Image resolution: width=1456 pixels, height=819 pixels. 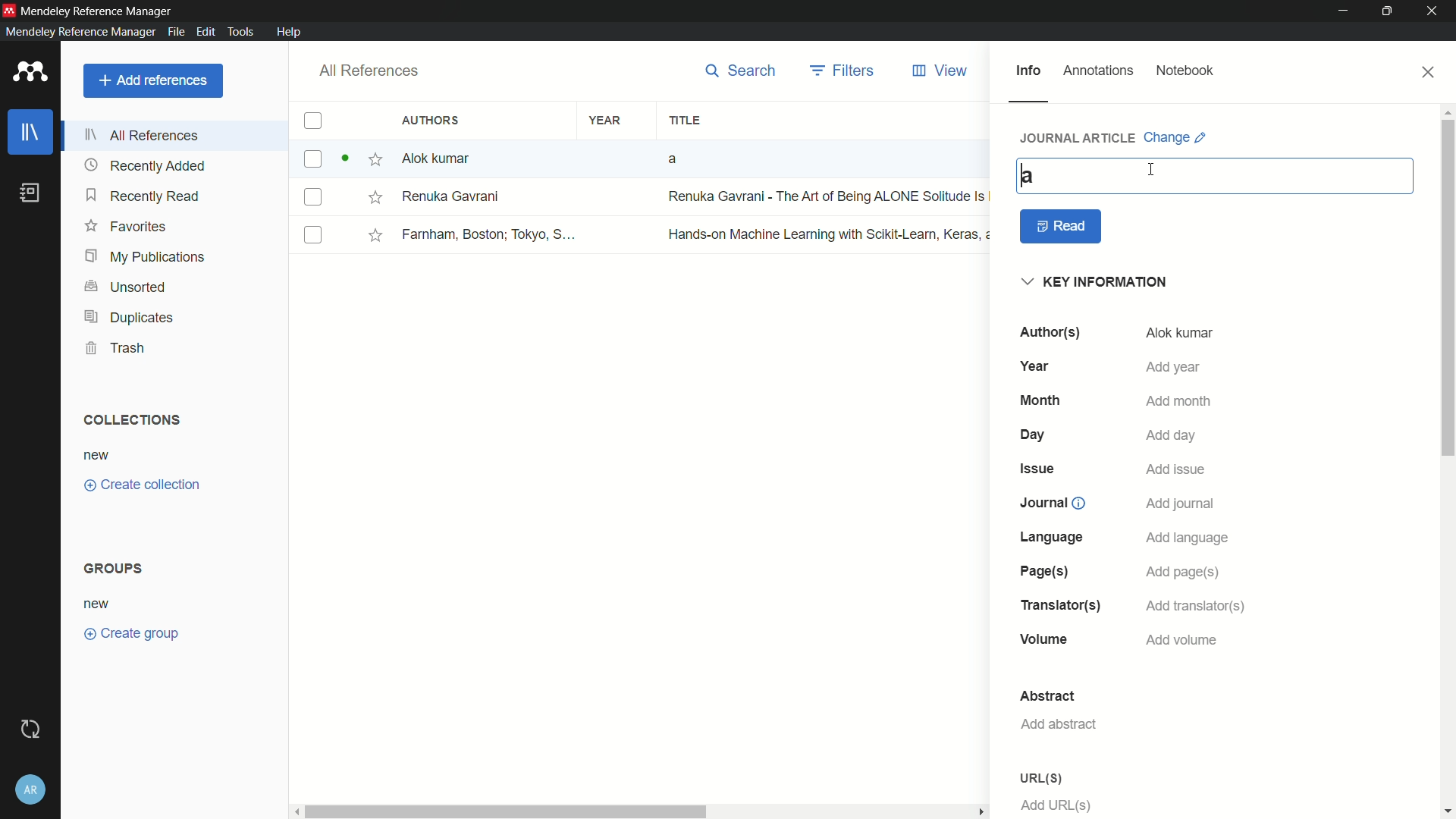 I want to click on book-1, so click(x=541, y=158).